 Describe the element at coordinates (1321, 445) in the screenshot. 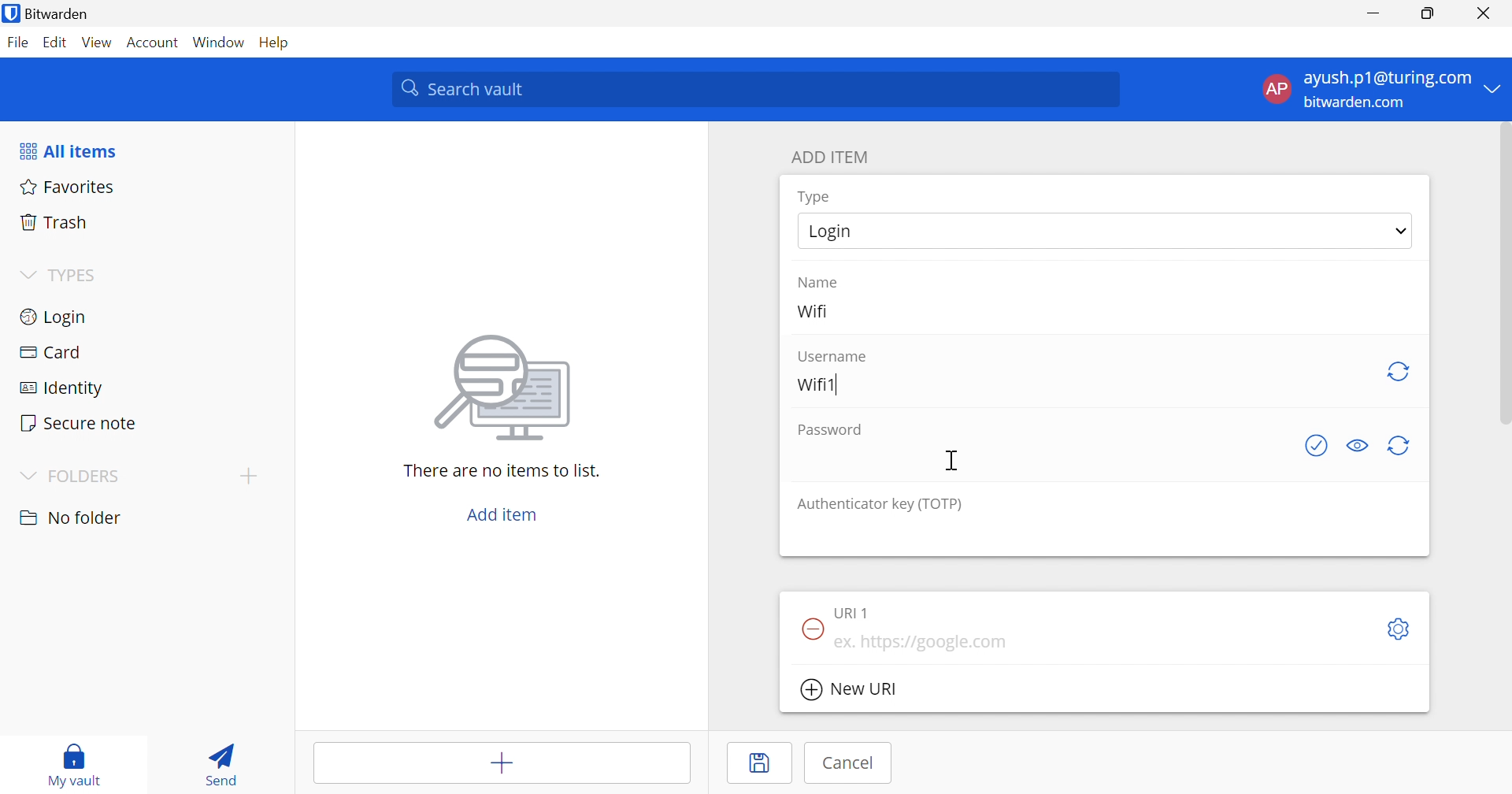

I see `Check if password has been exposed` at that location.